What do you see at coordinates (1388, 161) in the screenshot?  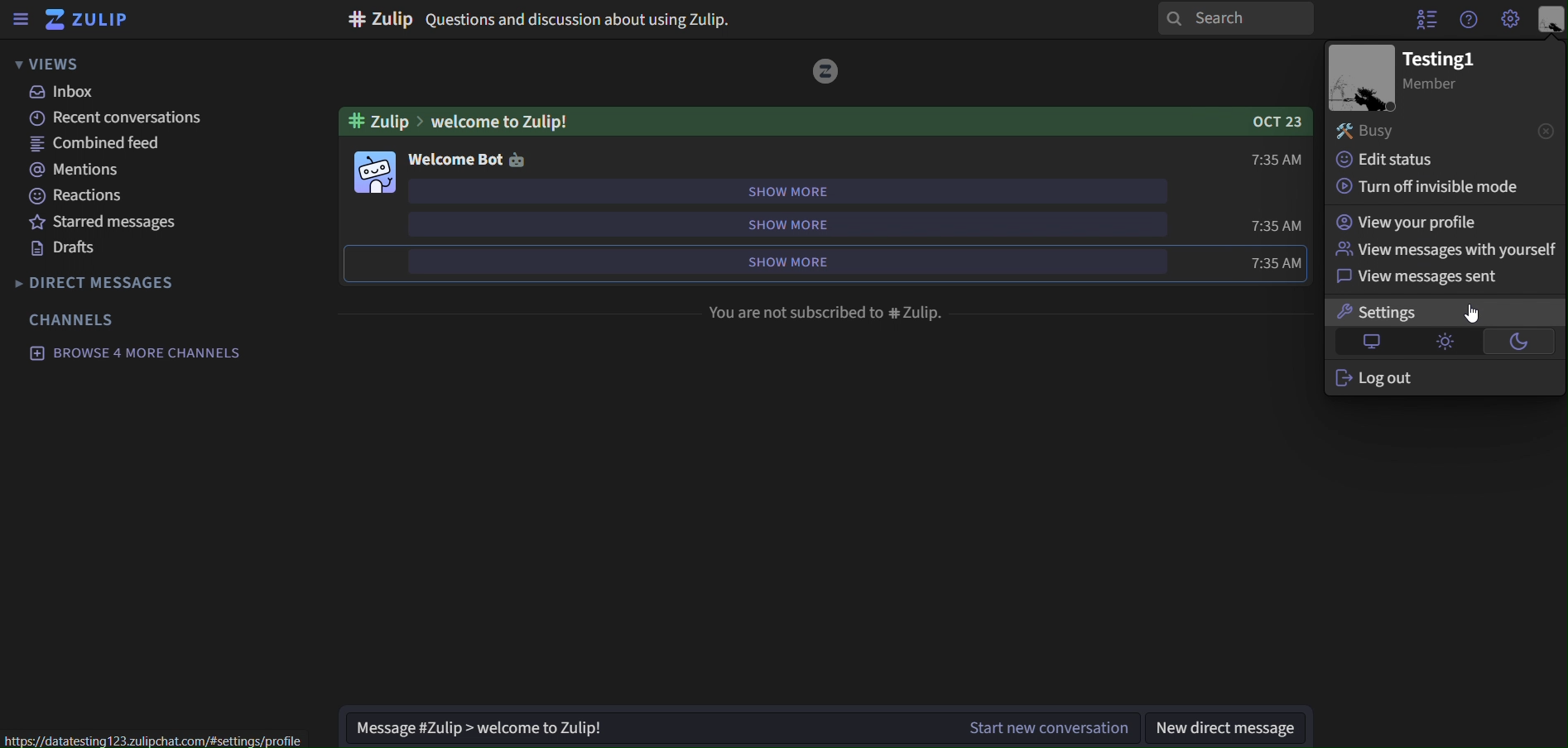 I see `edit status` at bounding box center [1388, 161].